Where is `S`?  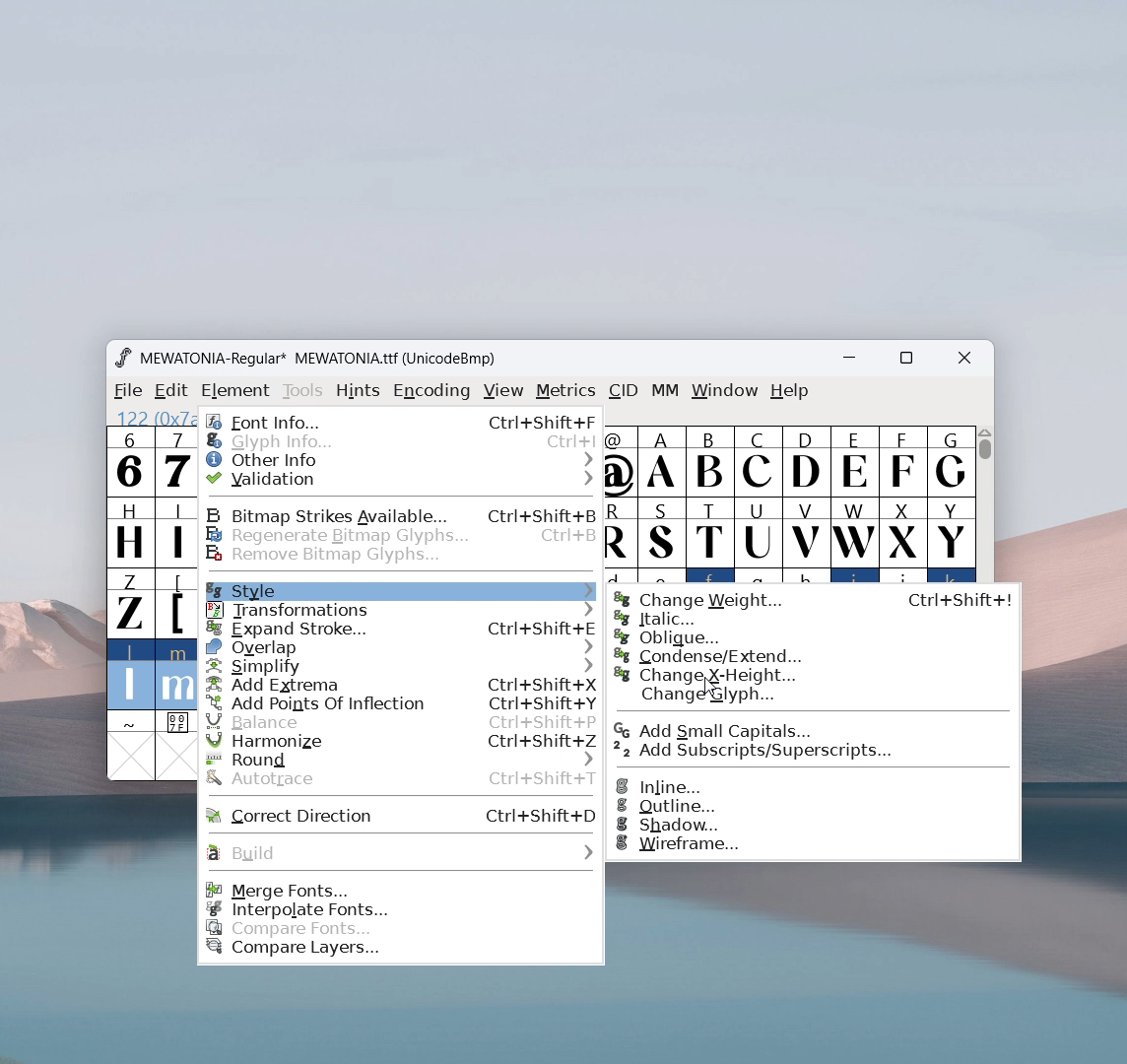
S is located at coordinates (662, 534).